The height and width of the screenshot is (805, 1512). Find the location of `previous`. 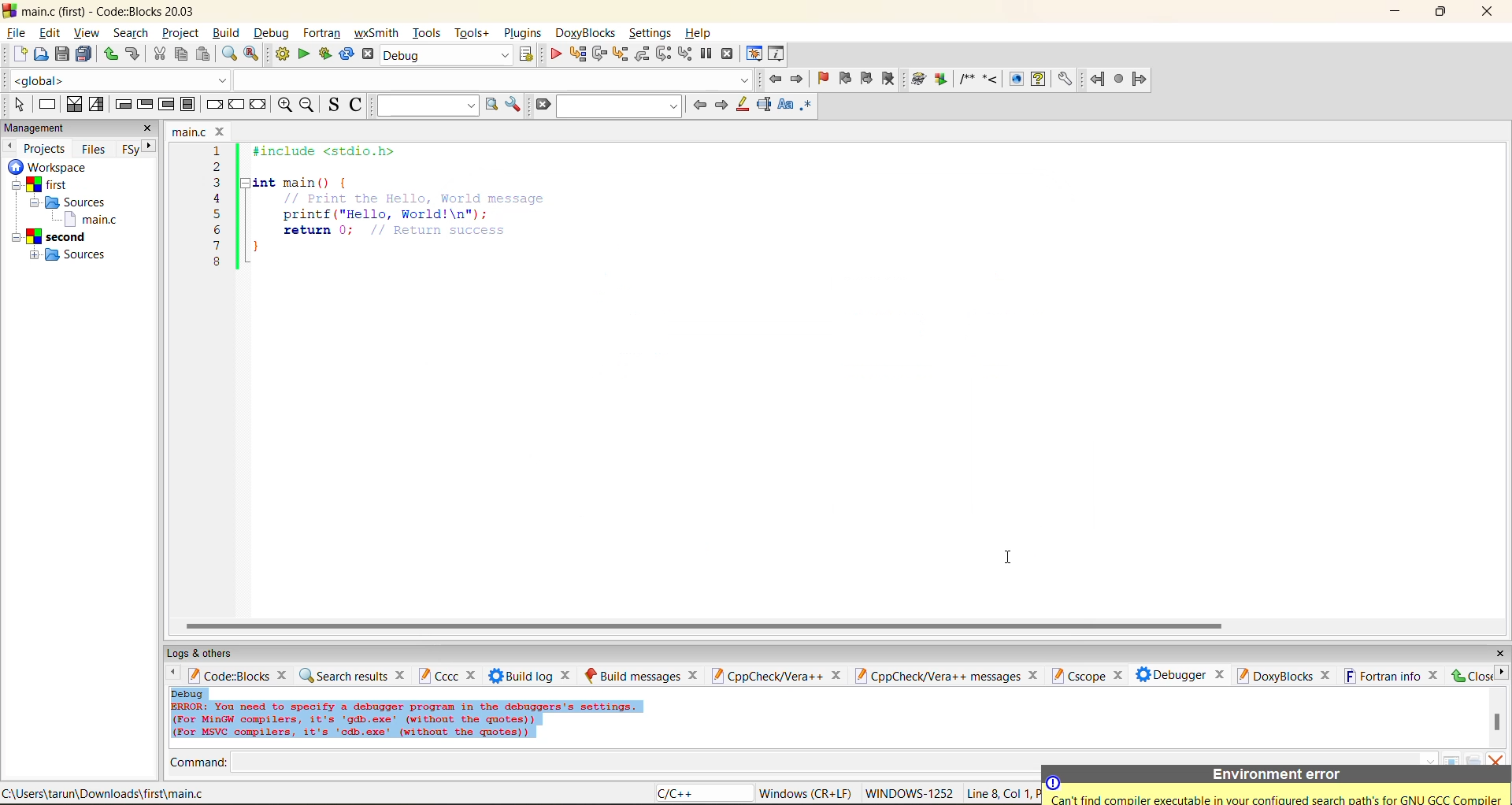

previous is located at coordinates (699, 105).